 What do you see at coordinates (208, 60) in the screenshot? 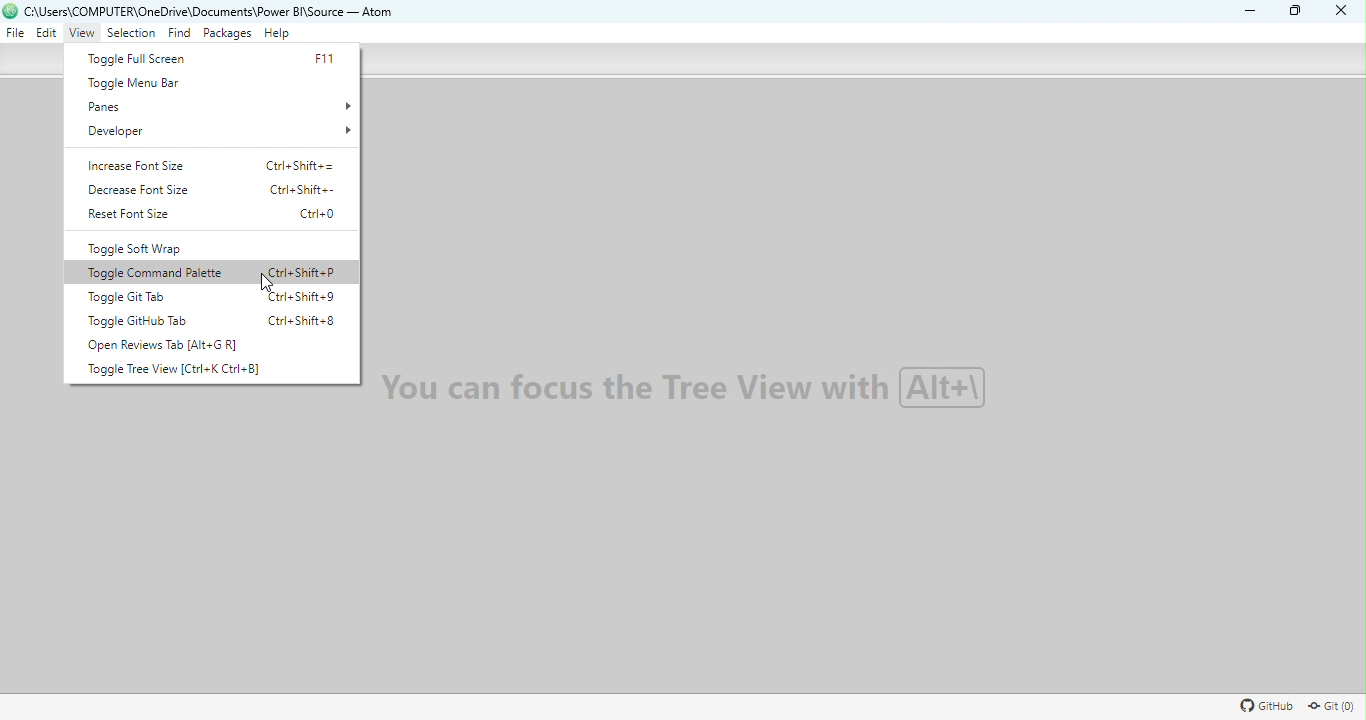
I see `Toggle full screen` at bounding box center [208, 60].